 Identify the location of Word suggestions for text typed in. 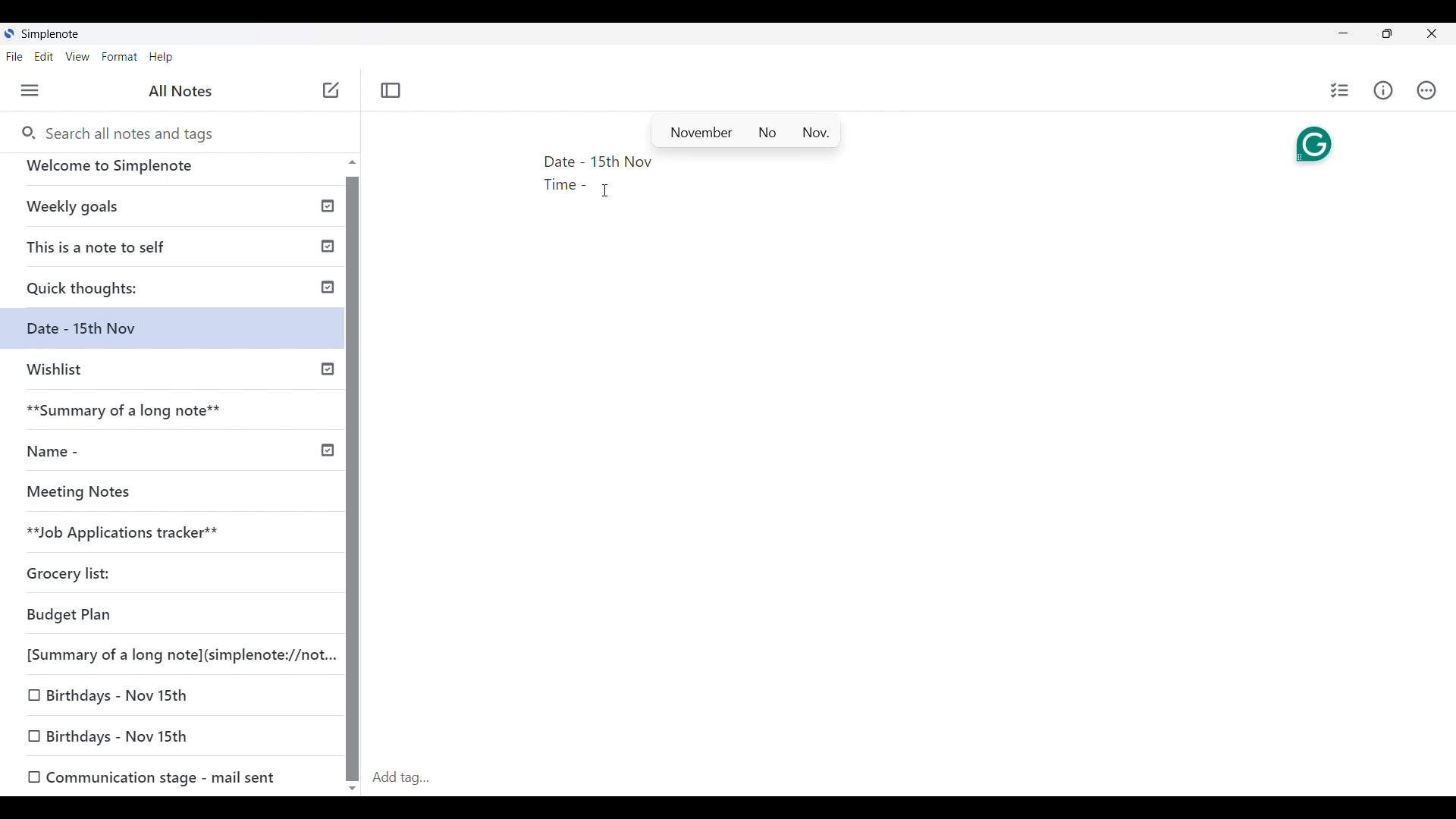
(745, 130).